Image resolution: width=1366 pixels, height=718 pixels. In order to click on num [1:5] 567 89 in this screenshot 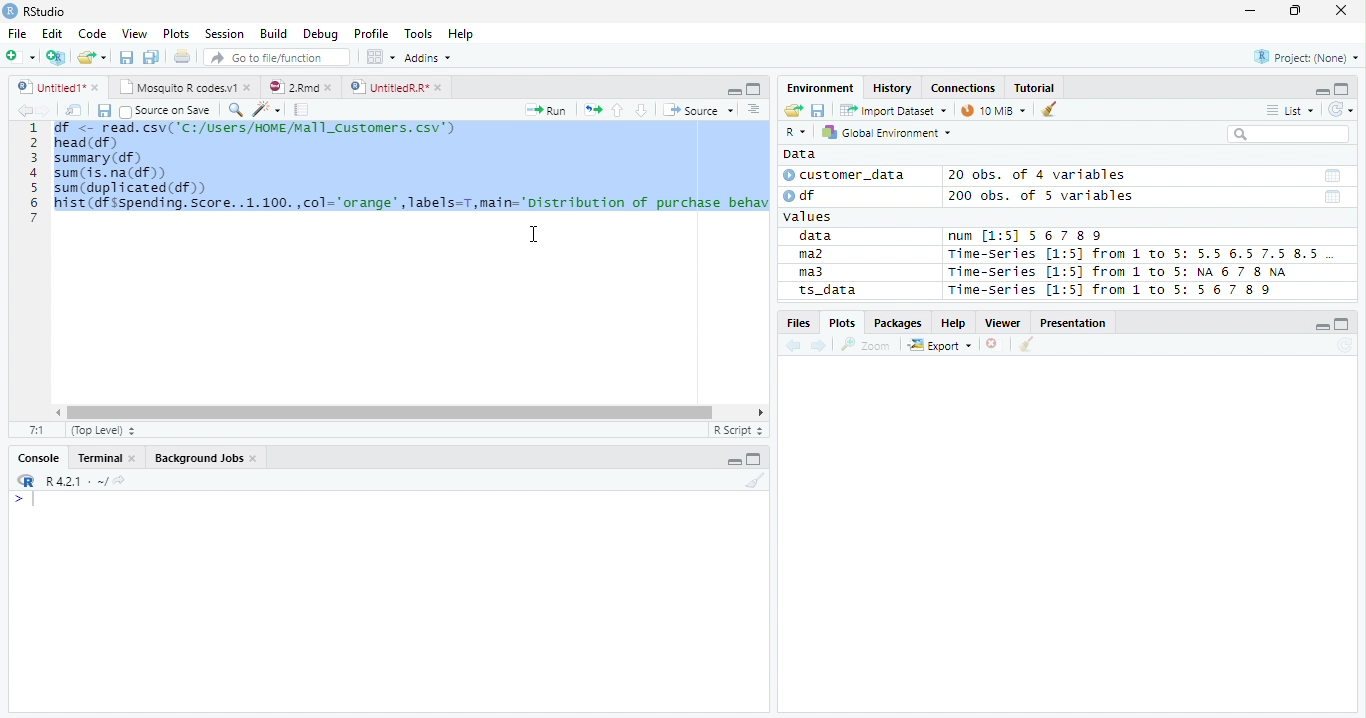, I will do `click(1026, 236)`.